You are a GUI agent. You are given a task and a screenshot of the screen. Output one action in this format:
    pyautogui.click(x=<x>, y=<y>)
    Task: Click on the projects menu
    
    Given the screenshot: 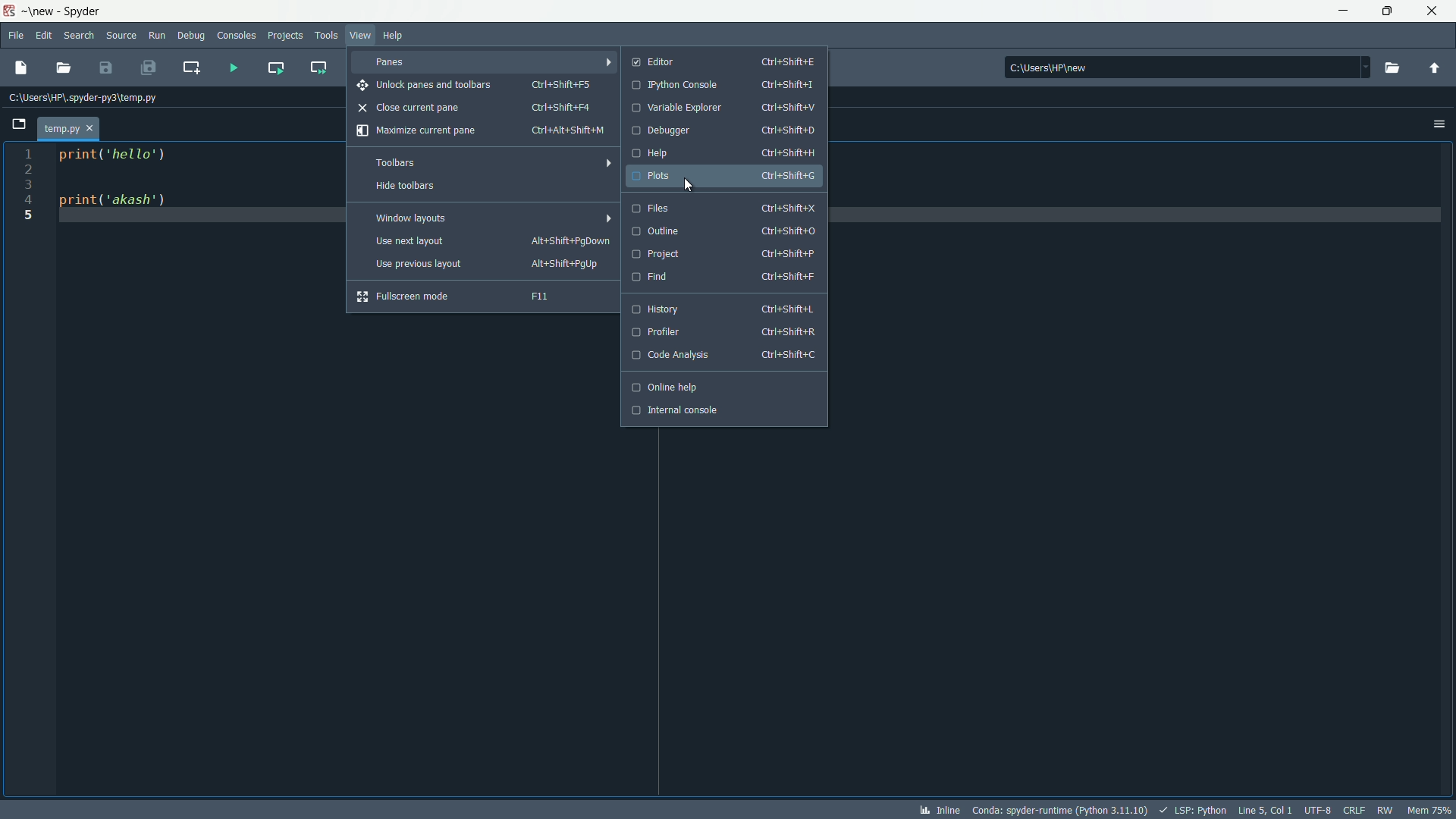 What is the action you would take?
    pyautogui.click(x=285, y=35)
    